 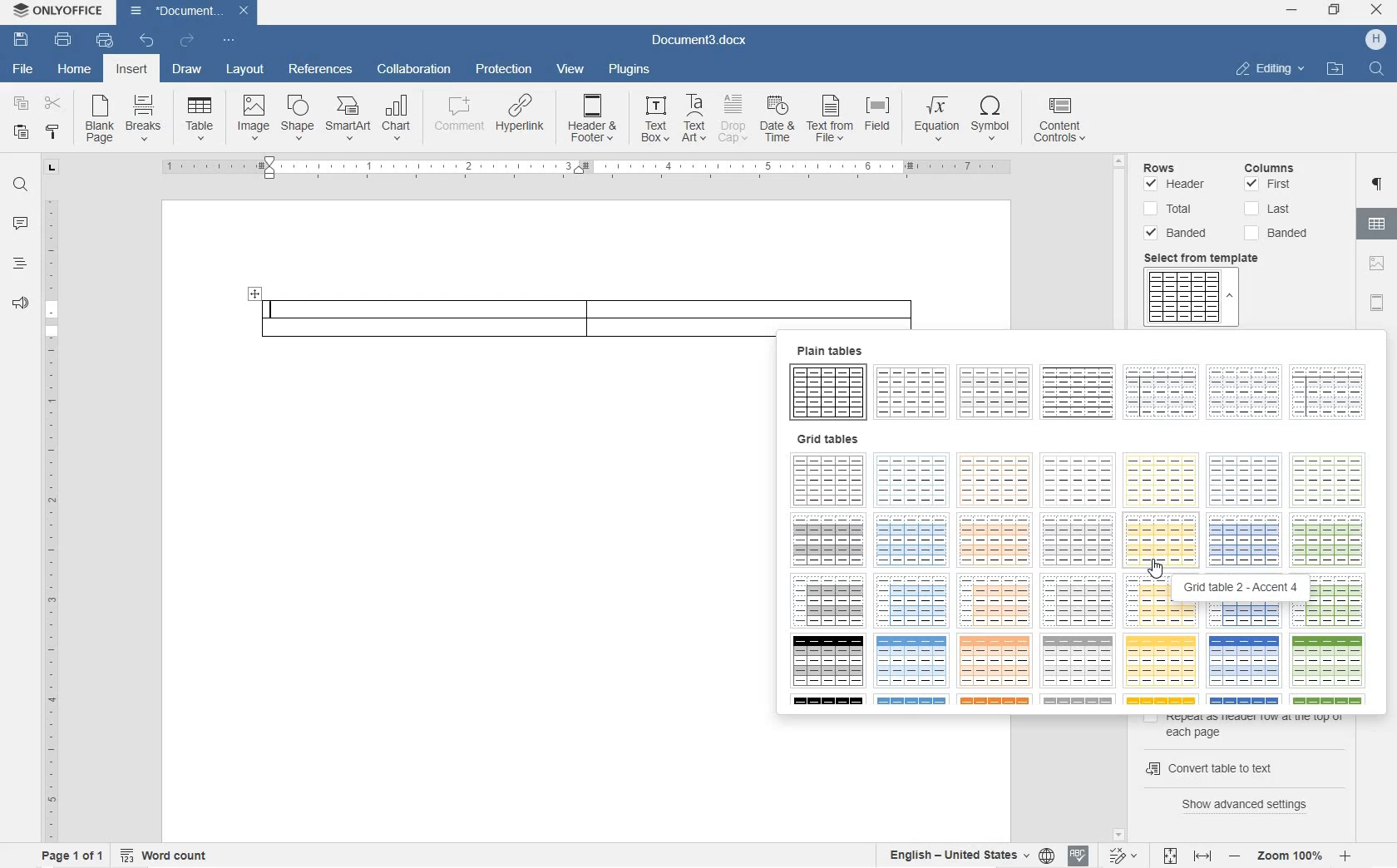 What do you see at coordinates (134, 72) in the screenshot?
I see `INSERT` at bounding box center [134, 72].